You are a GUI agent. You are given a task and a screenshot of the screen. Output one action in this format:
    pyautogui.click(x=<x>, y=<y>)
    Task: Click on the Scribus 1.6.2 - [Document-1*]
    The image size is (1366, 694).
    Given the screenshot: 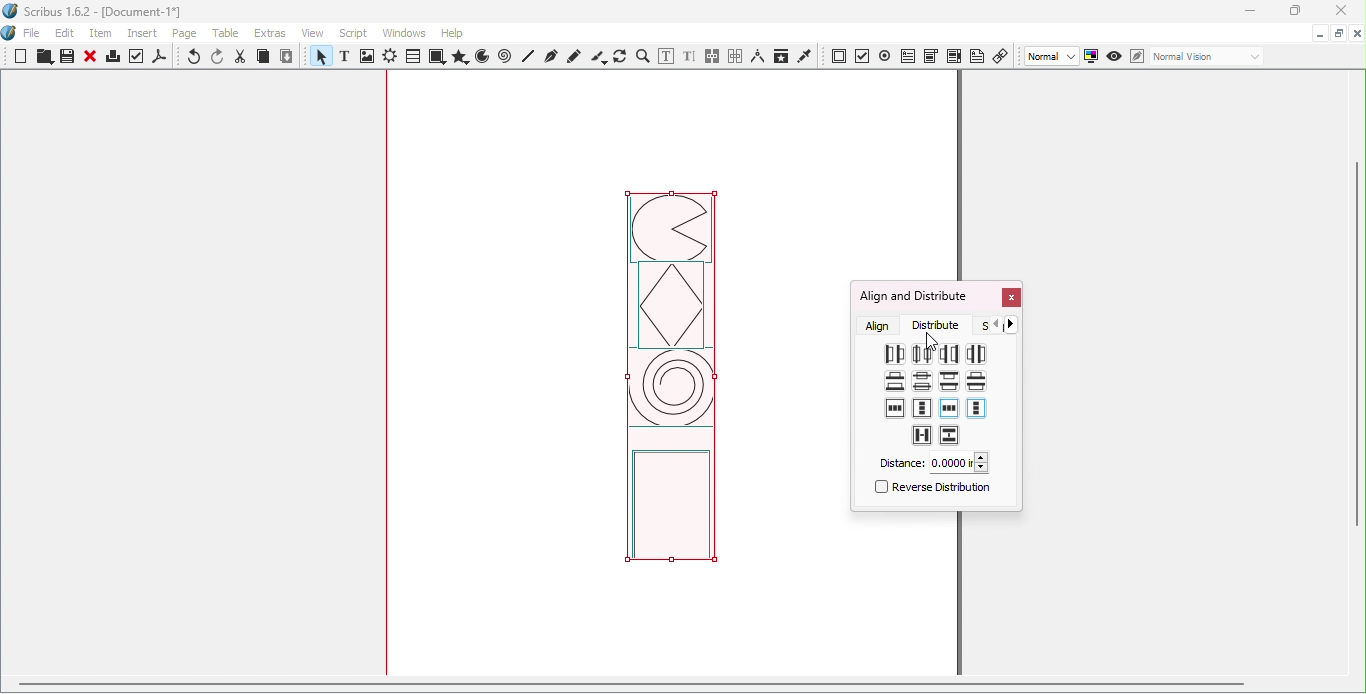 What is the action you would take?
    pyautogui.click(x=101, y=13)
    